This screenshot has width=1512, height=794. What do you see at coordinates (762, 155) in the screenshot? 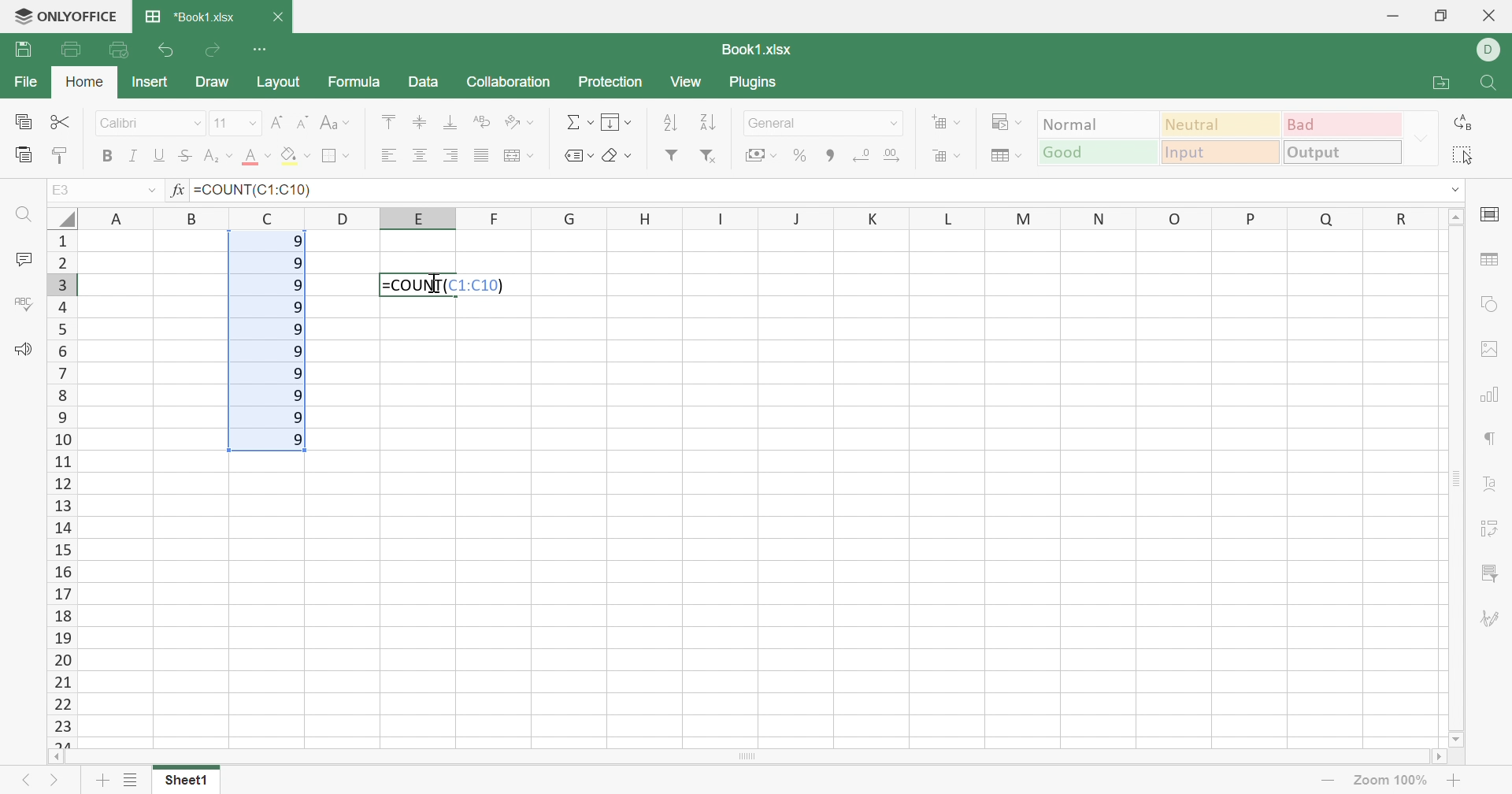
I see `Accounting style` at bounding box center [762, 155].